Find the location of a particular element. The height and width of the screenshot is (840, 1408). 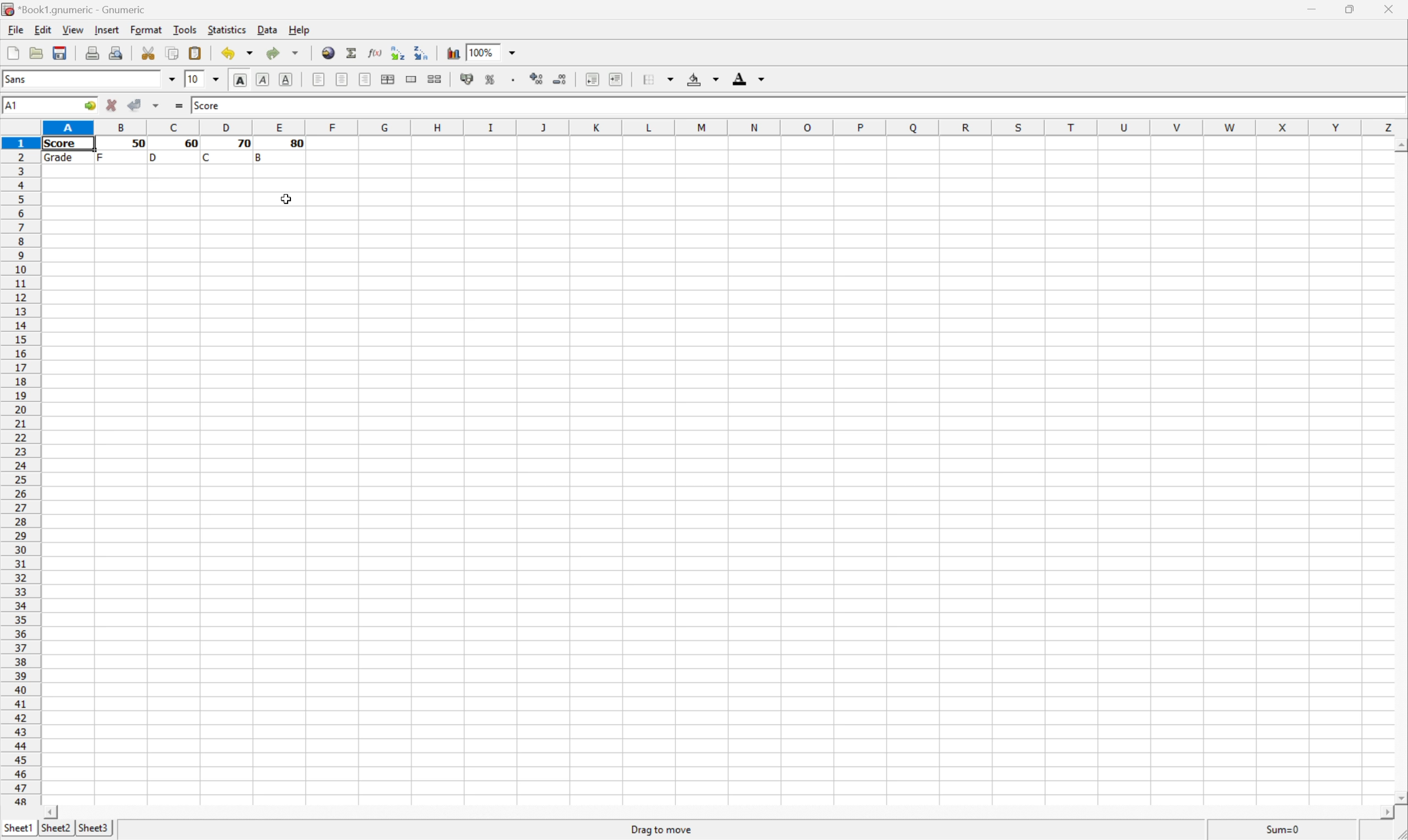

Edit a function into the current cell is located at coordinates (373, 52).